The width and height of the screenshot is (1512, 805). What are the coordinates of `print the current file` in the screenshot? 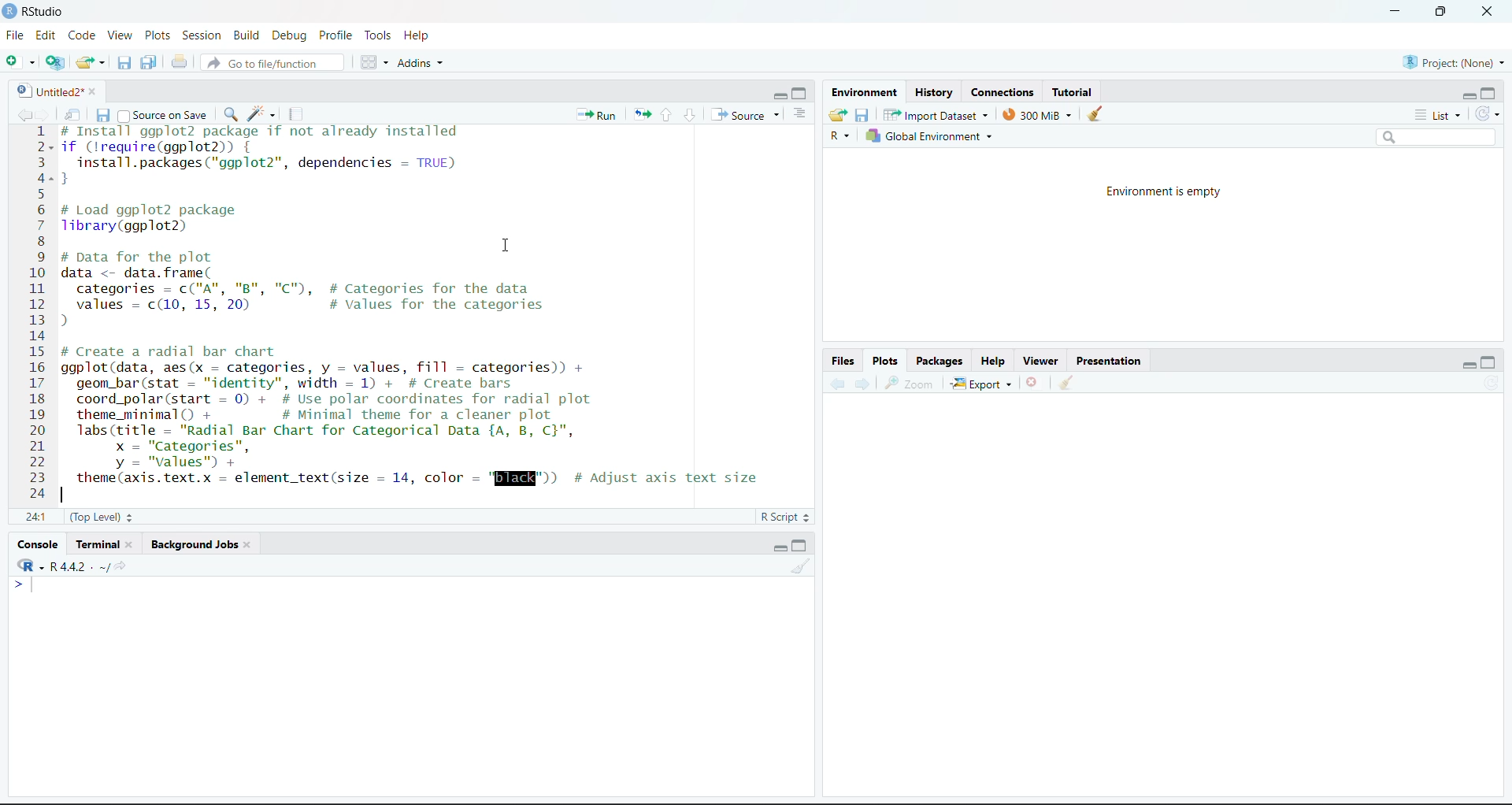 It's located at (176, 62).